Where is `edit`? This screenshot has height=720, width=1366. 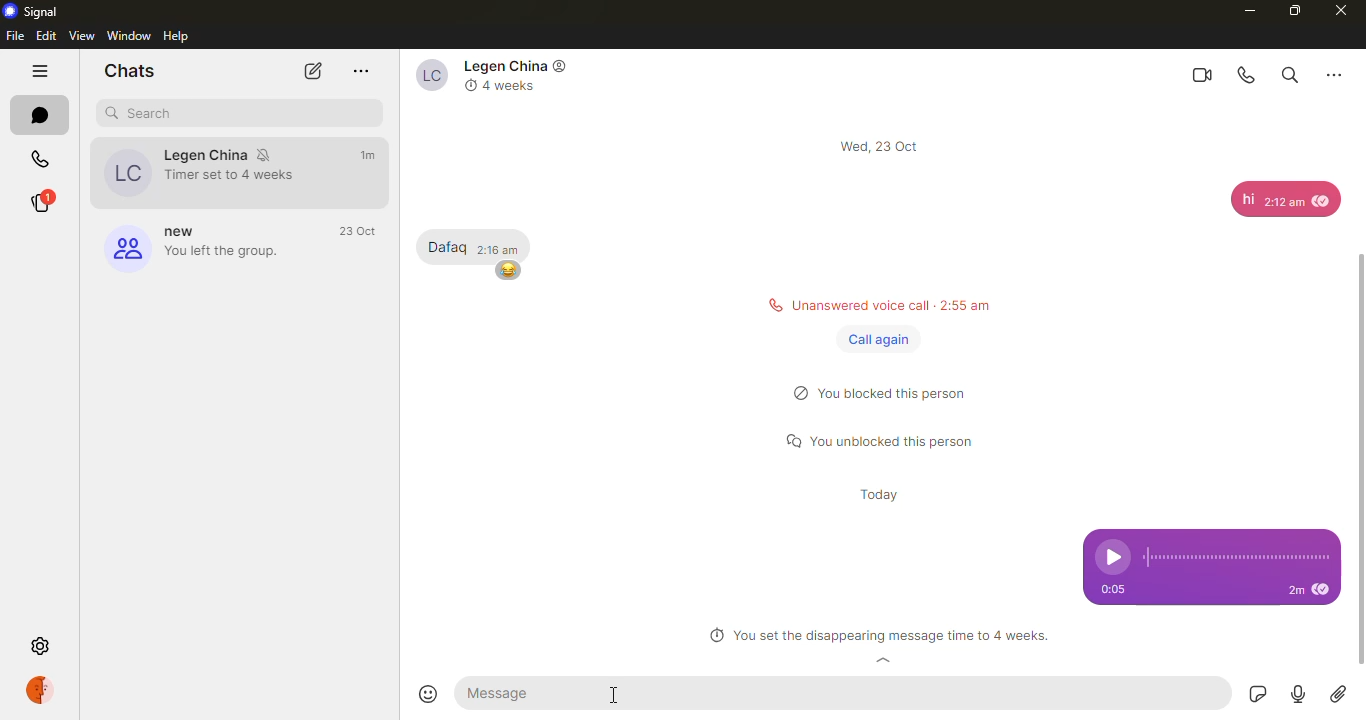 edit is located at coordinates (46, 35).